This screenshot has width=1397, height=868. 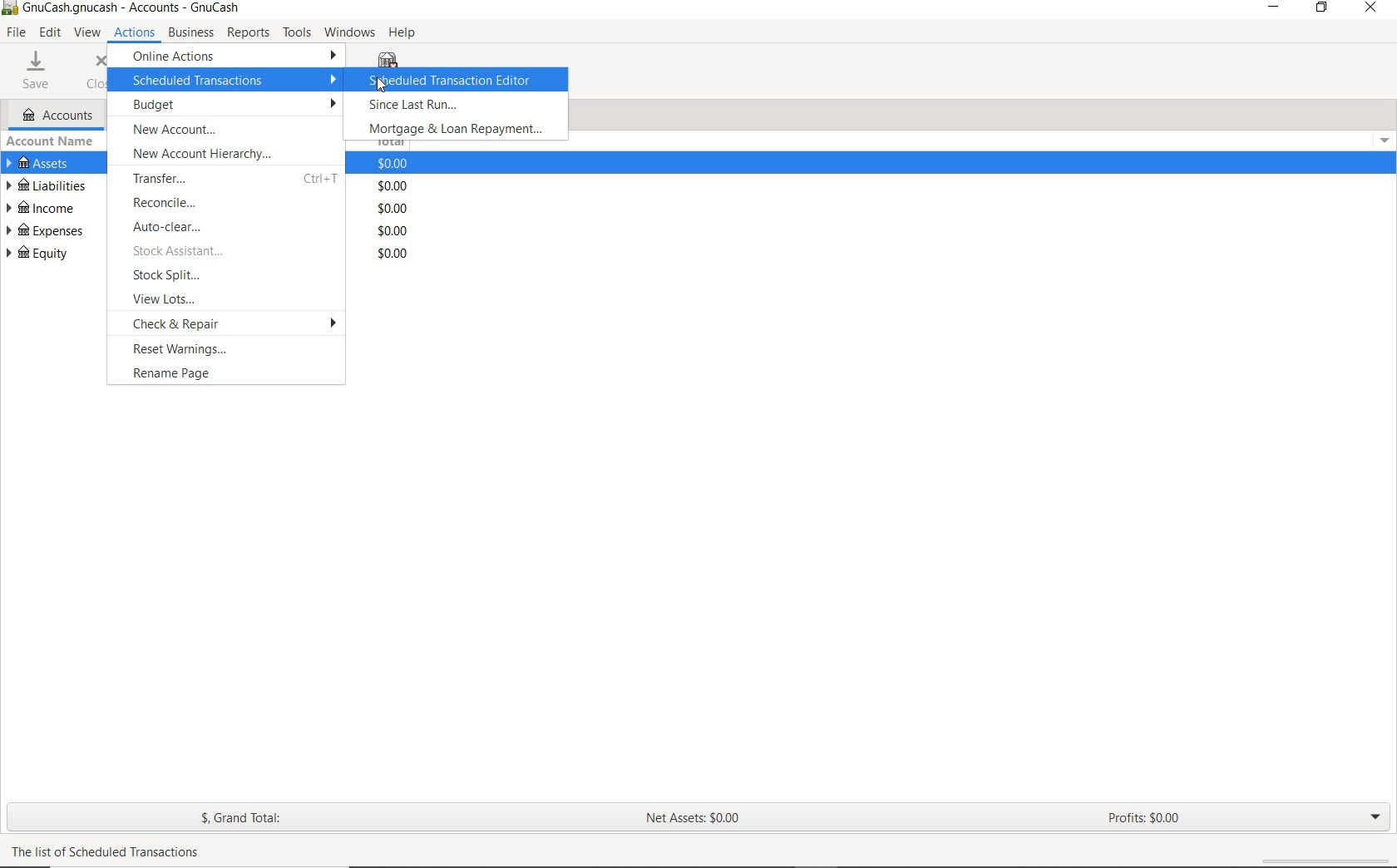 What do you see at coordinates (392, 230) in the screenshot?
I see `total` at bounding box center [392, 230].